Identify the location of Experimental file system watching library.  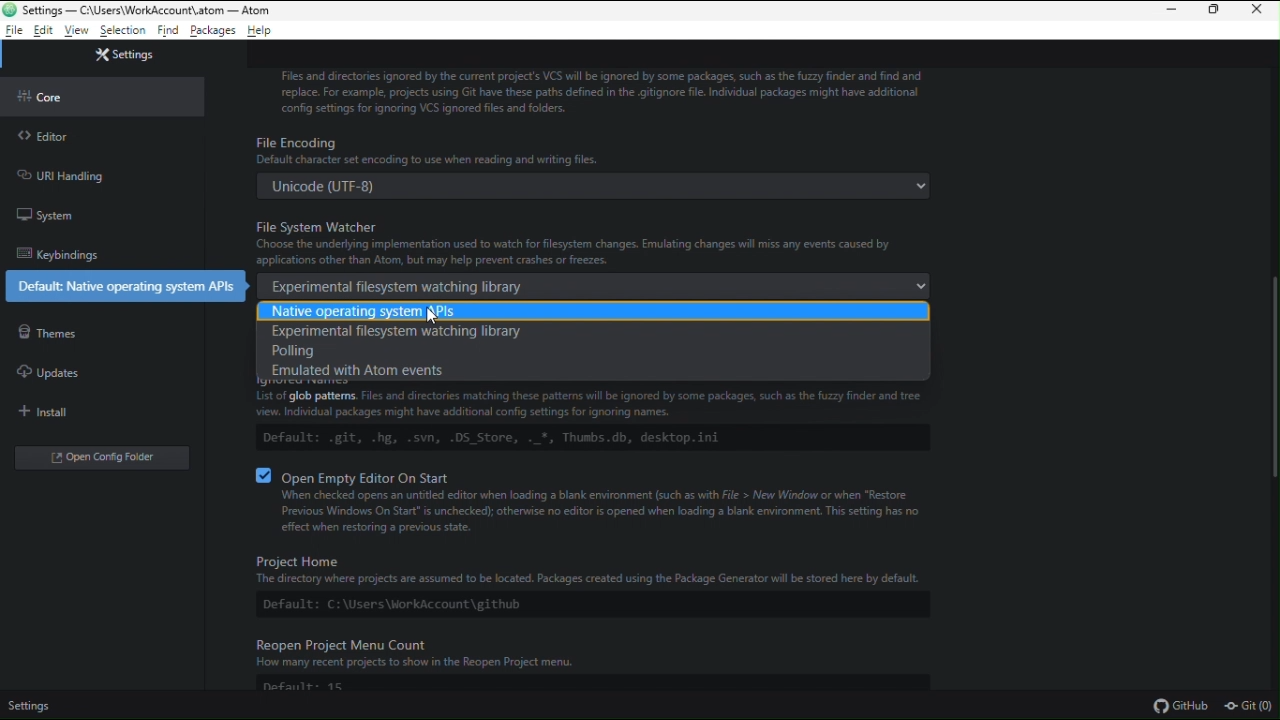
(399, 334).